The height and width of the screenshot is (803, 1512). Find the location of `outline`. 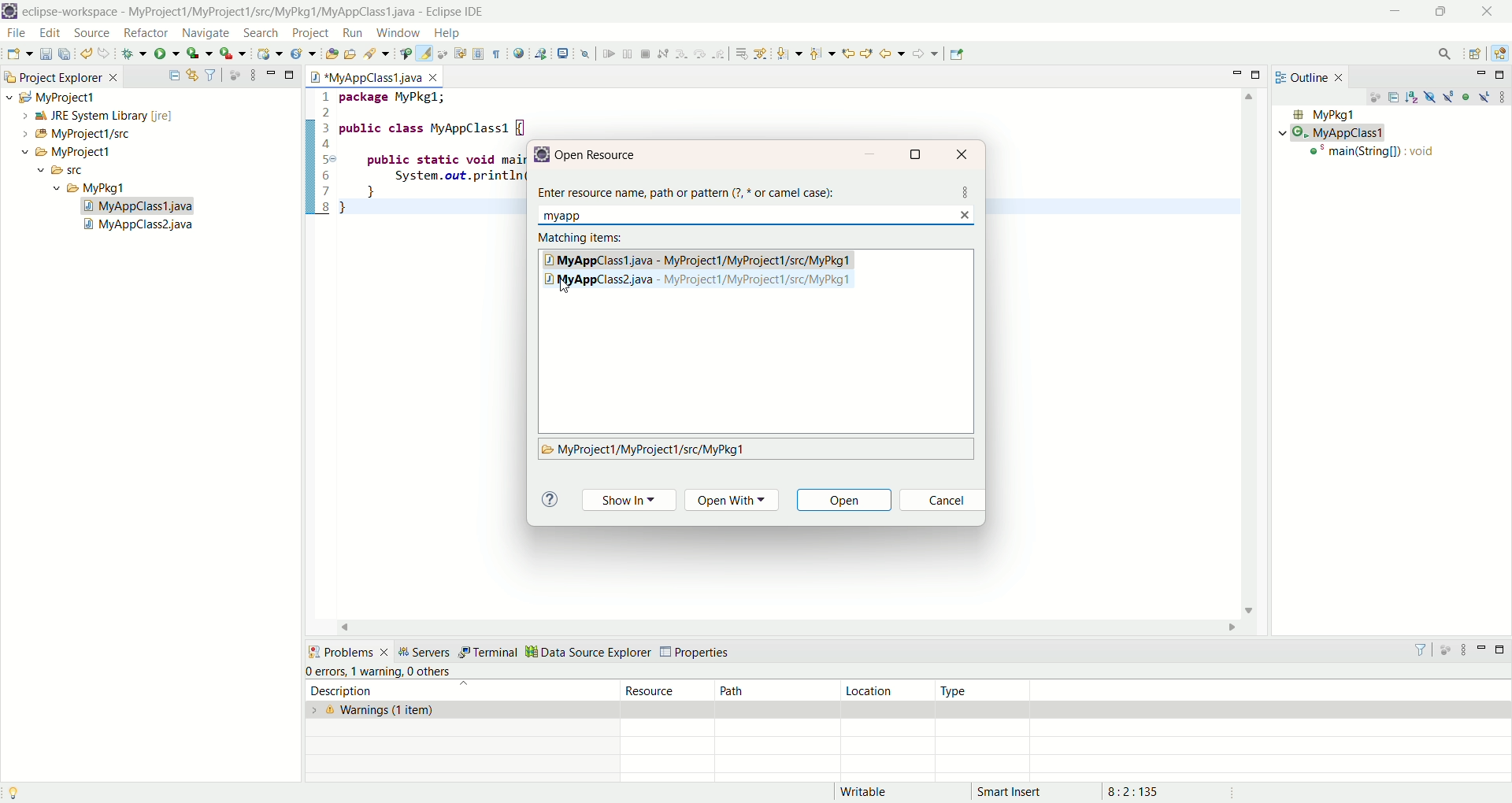

outline is located at coordinates (1313, 76).